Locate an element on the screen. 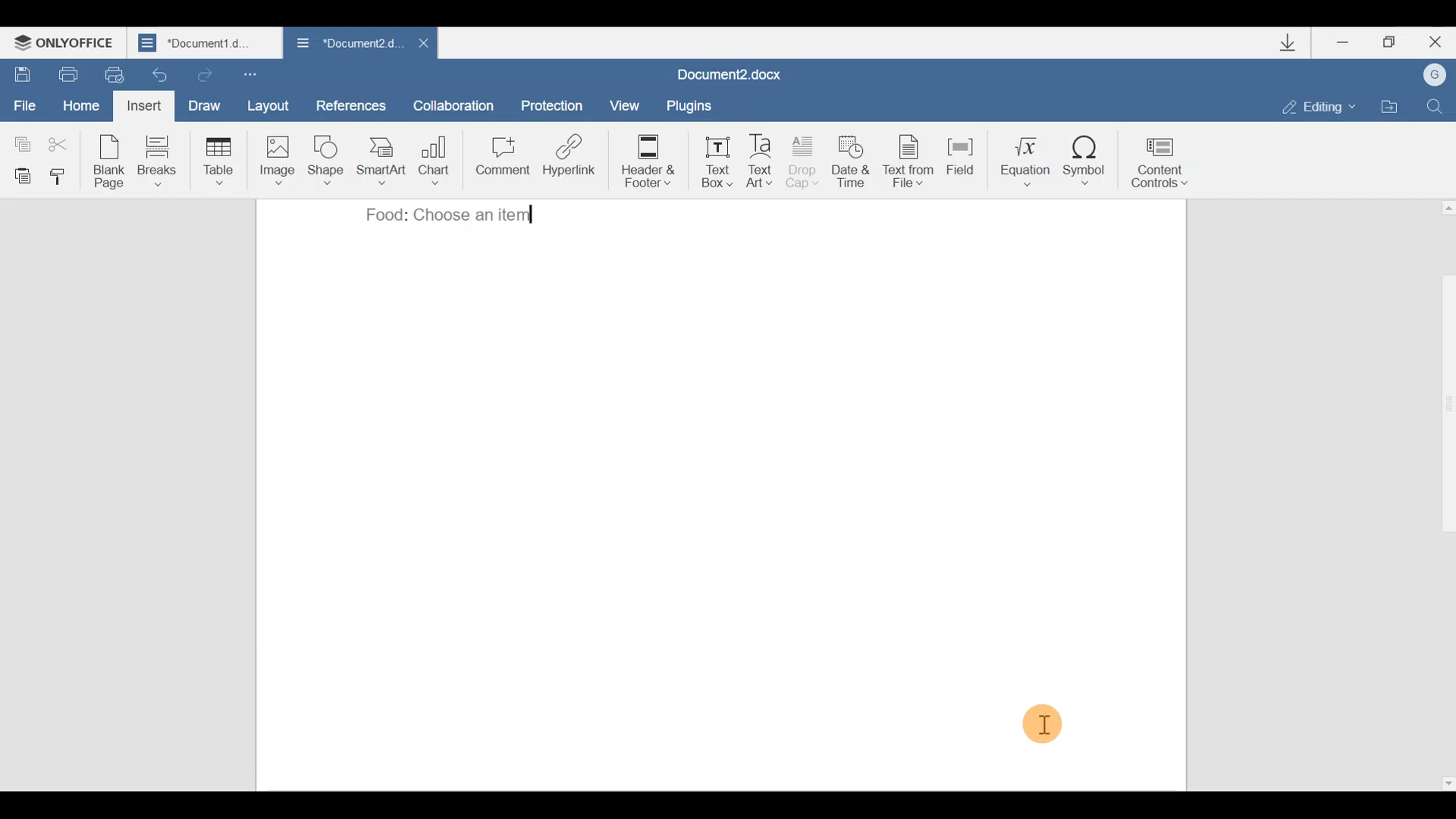 Image resolution: width=1456 pixels, height=819 pixels. Downloads is located at coordinates (1288, 42).